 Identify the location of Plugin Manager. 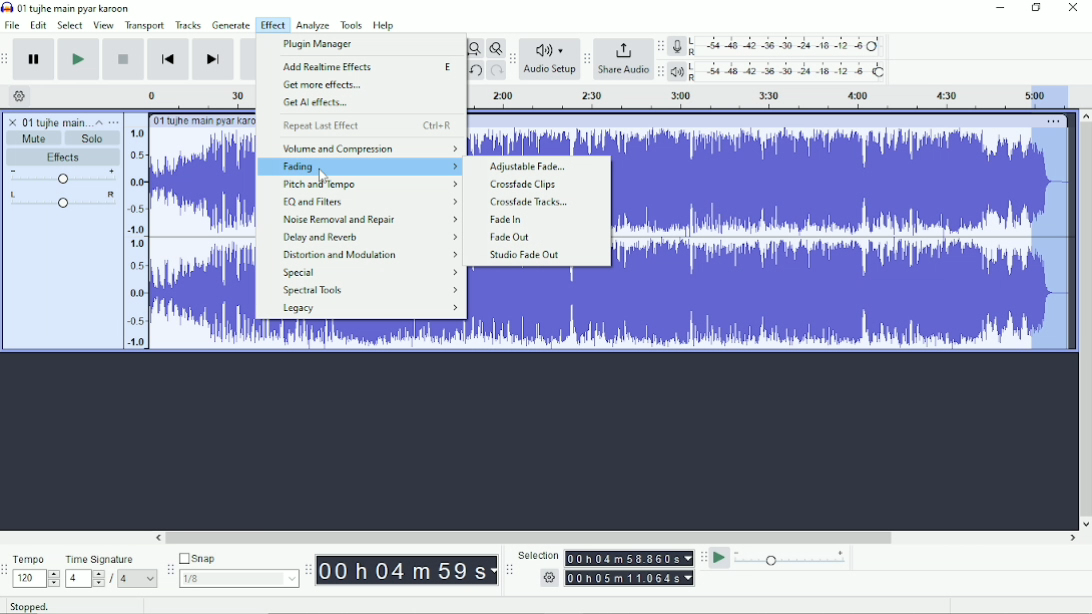
(317, 44).